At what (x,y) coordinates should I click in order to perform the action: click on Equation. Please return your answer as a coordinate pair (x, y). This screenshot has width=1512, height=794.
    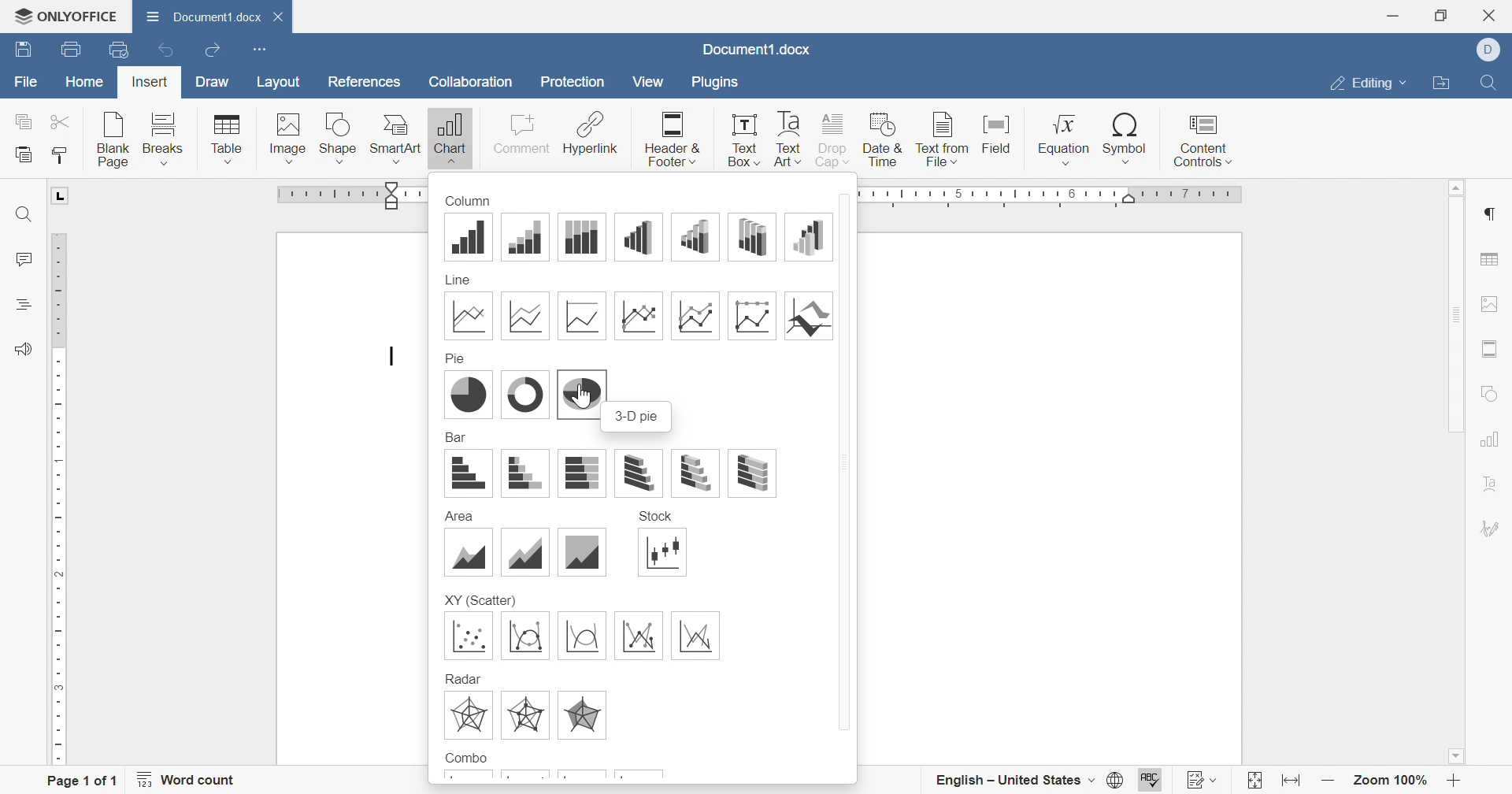
    Looking at the image, I should click on (1062, 139).